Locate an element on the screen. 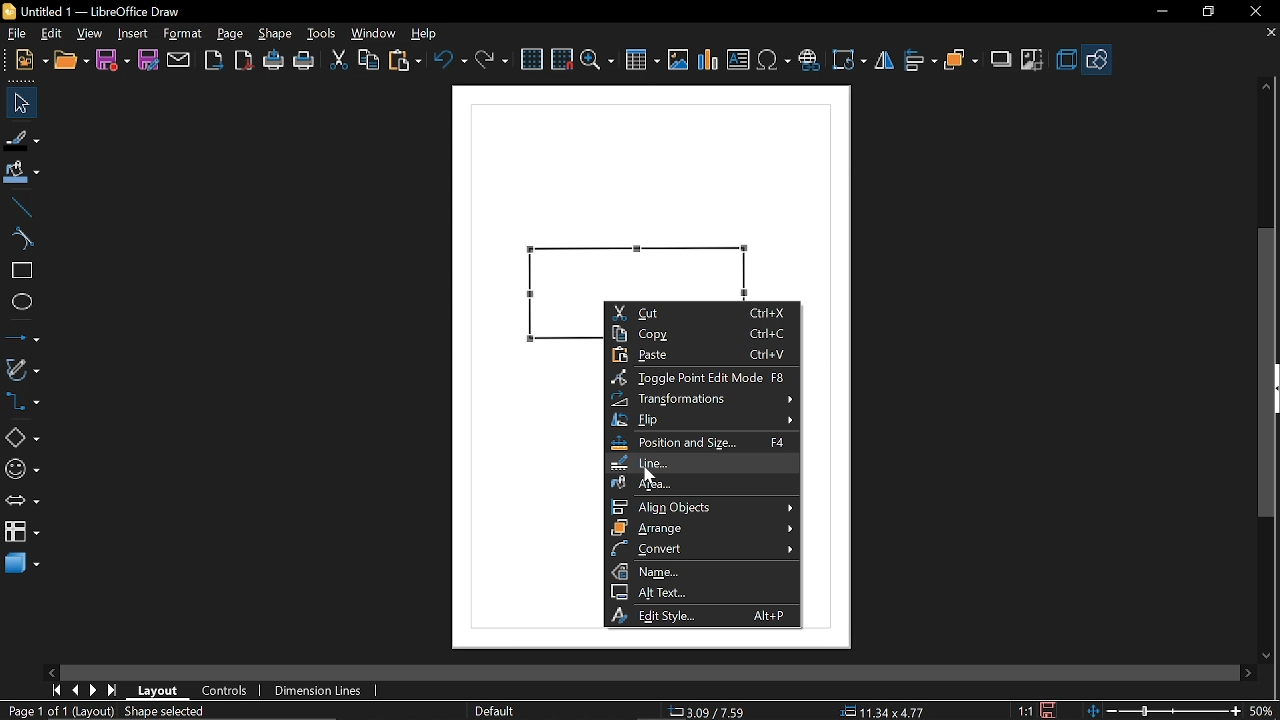 The height and width of the screenshot is (720, 1280). Minimize is located at coordinates (1160, 13).